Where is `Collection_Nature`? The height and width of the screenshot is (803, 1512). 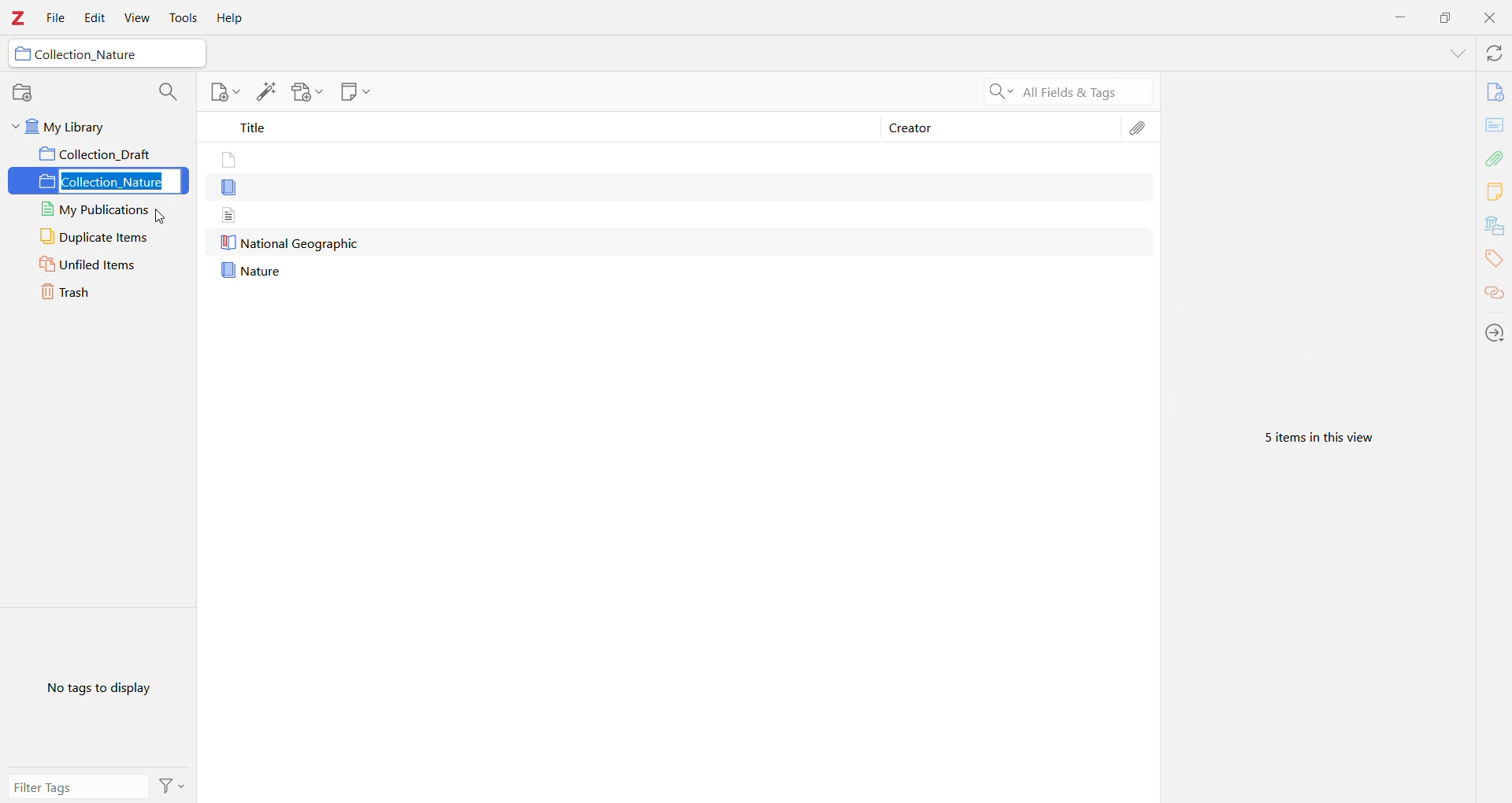 Collection_Nature is located at coordinates (101, 181).